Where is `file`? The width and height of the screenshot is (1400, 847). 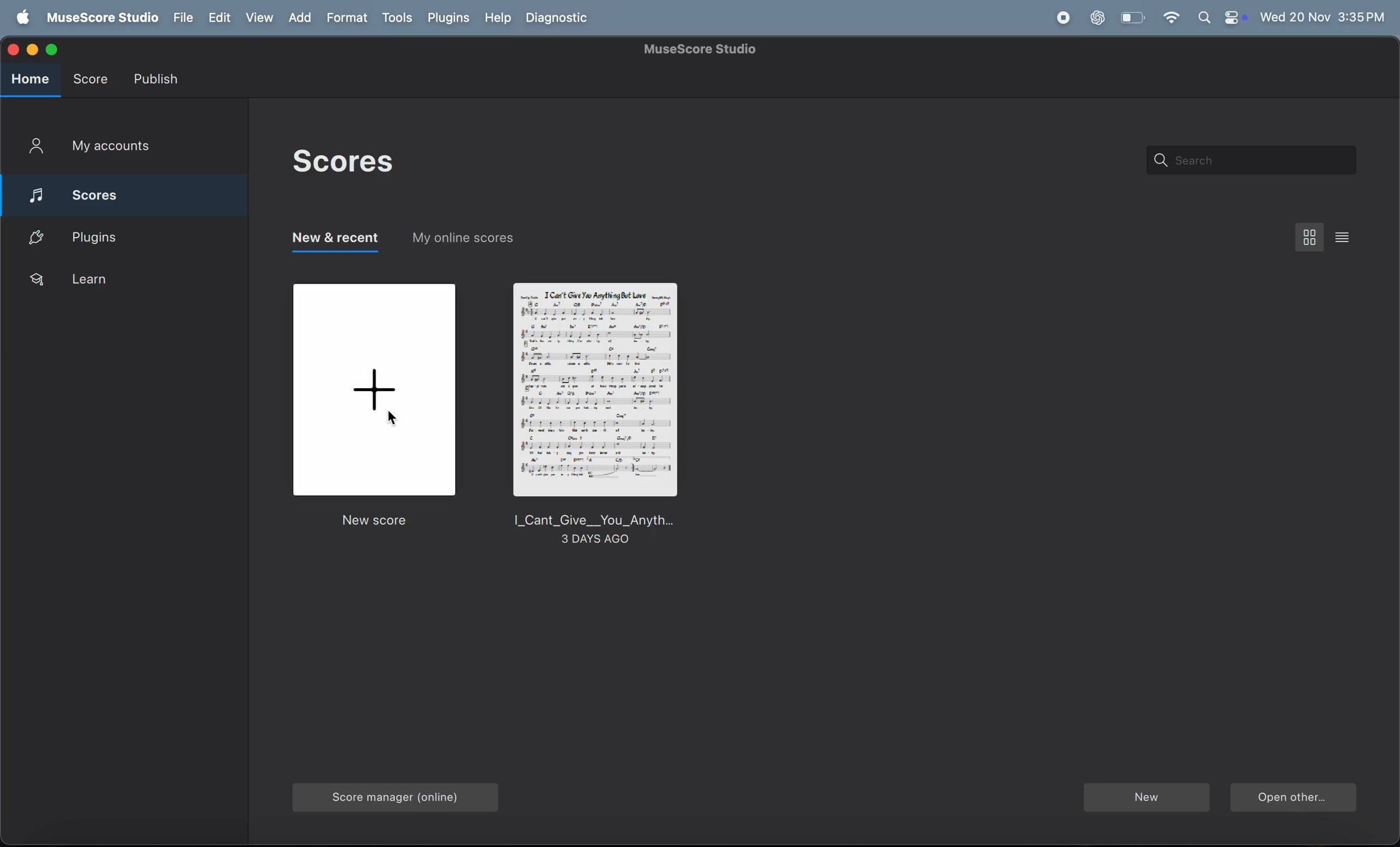
file is located at coordinates (181, 18).